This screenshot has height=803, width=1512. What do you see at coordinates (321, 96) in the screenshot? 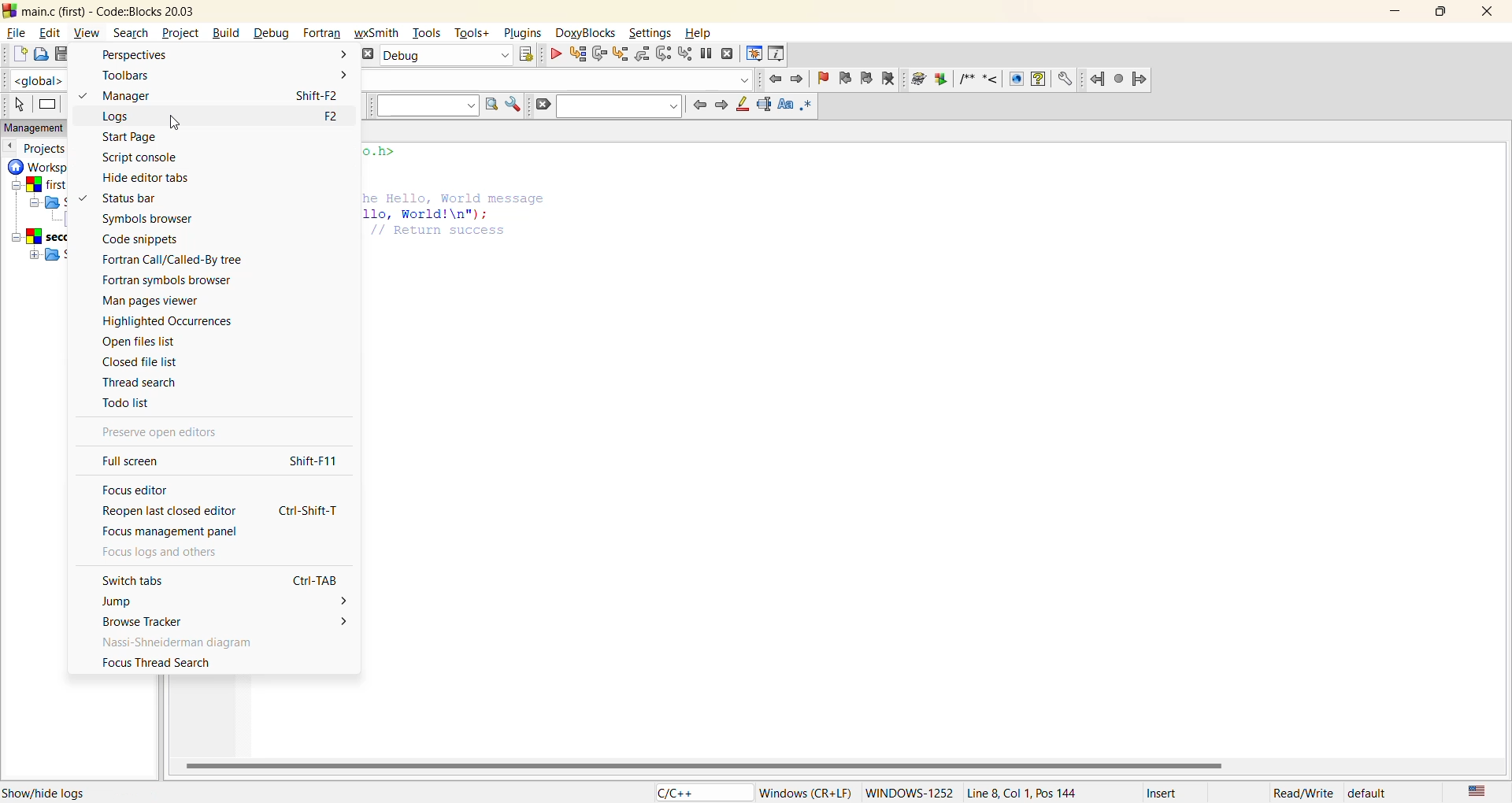
I see `Shift+F2` at bounding box center [321, 96].